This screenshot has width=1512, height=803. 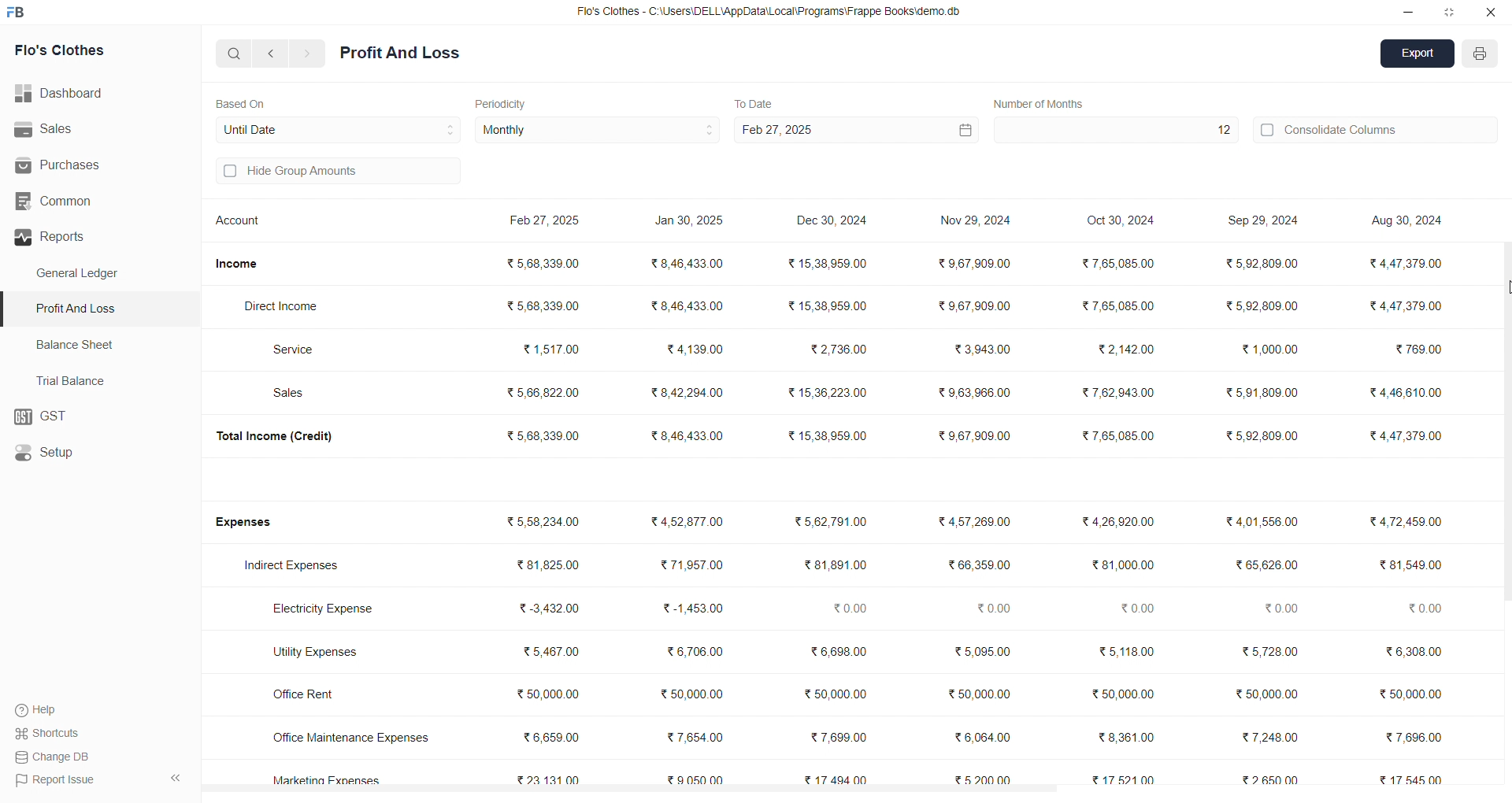 What do you see at coordinates (691, 263) in the screenshot?
I see `₹8,46,433.00` at bounding box center [691, 263].